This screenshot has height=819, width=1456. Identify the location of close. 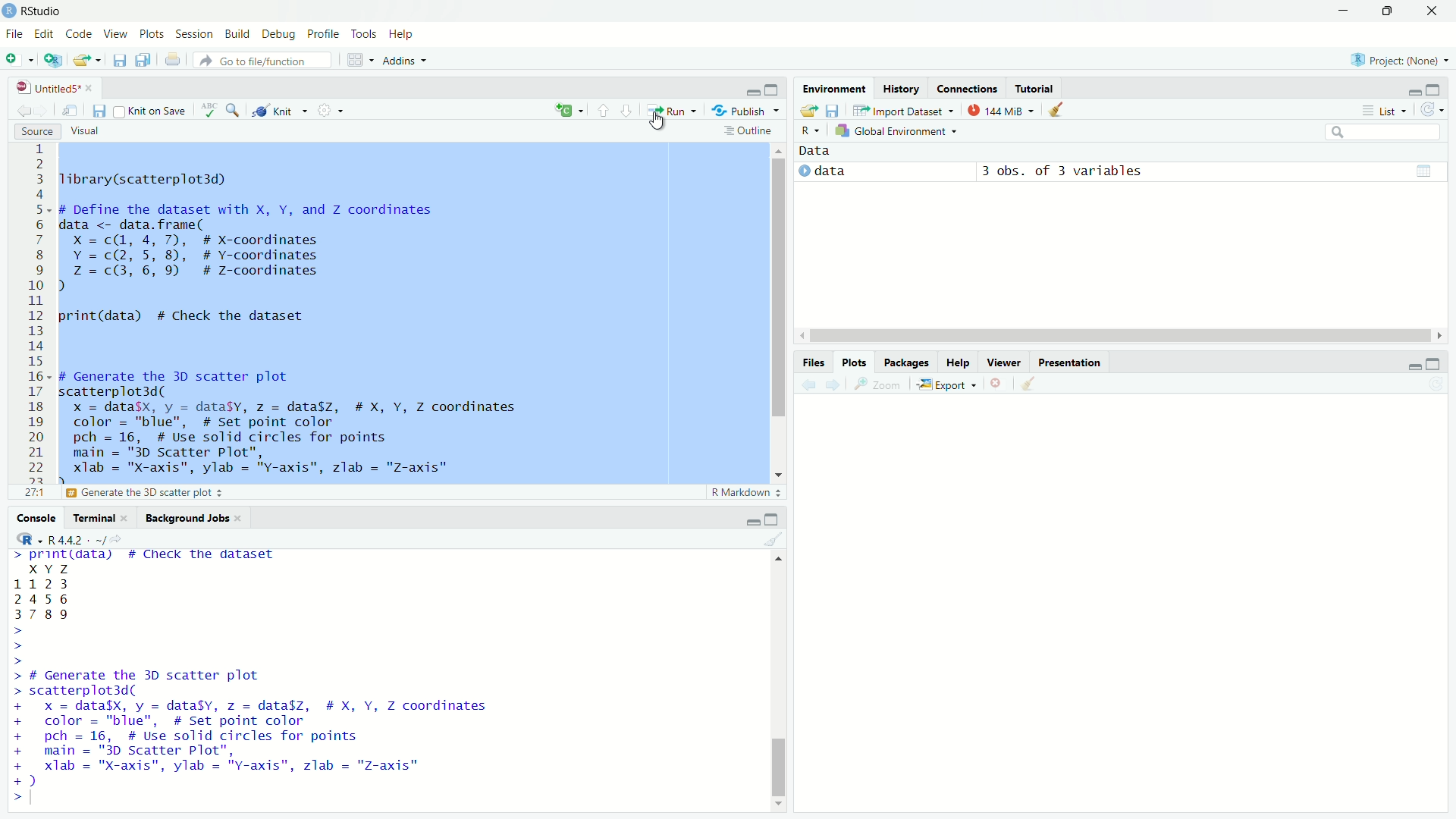
(1435, 12).